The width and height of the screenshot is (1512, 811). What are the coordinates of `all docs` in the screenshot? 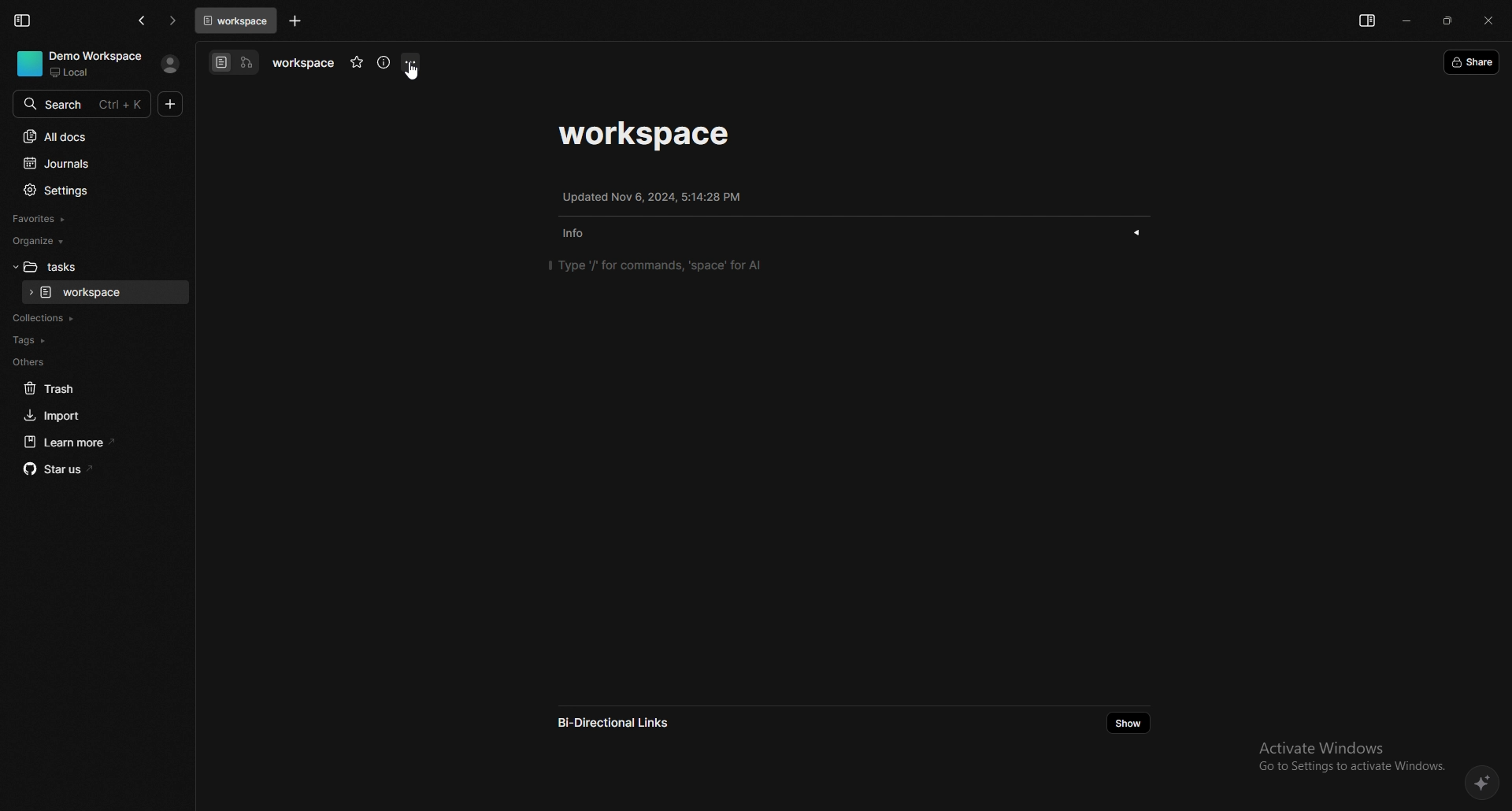 It's located at (90, 136).